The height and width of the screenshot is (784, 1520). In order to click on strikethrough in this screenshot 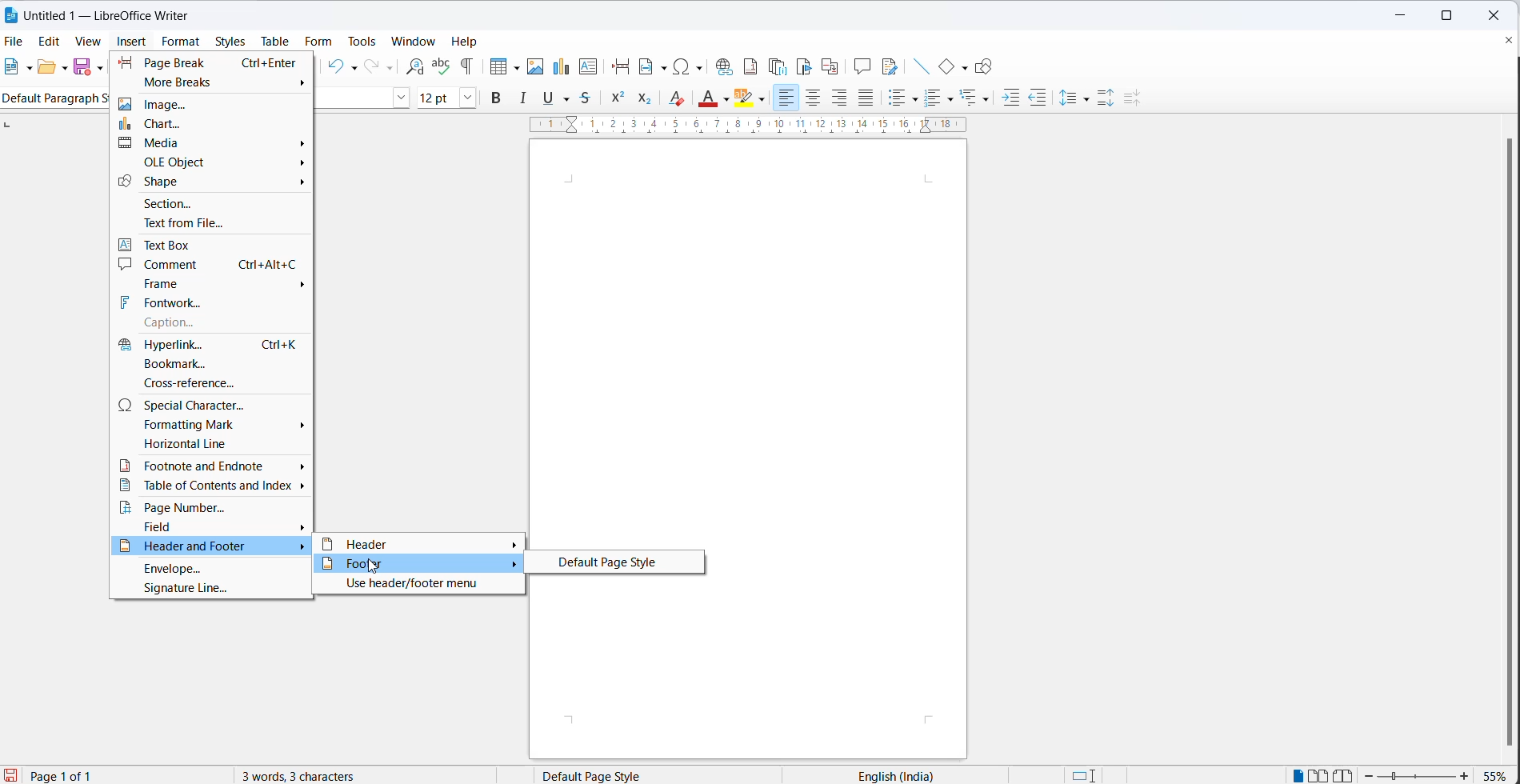, I will do `click(590, 98)`.